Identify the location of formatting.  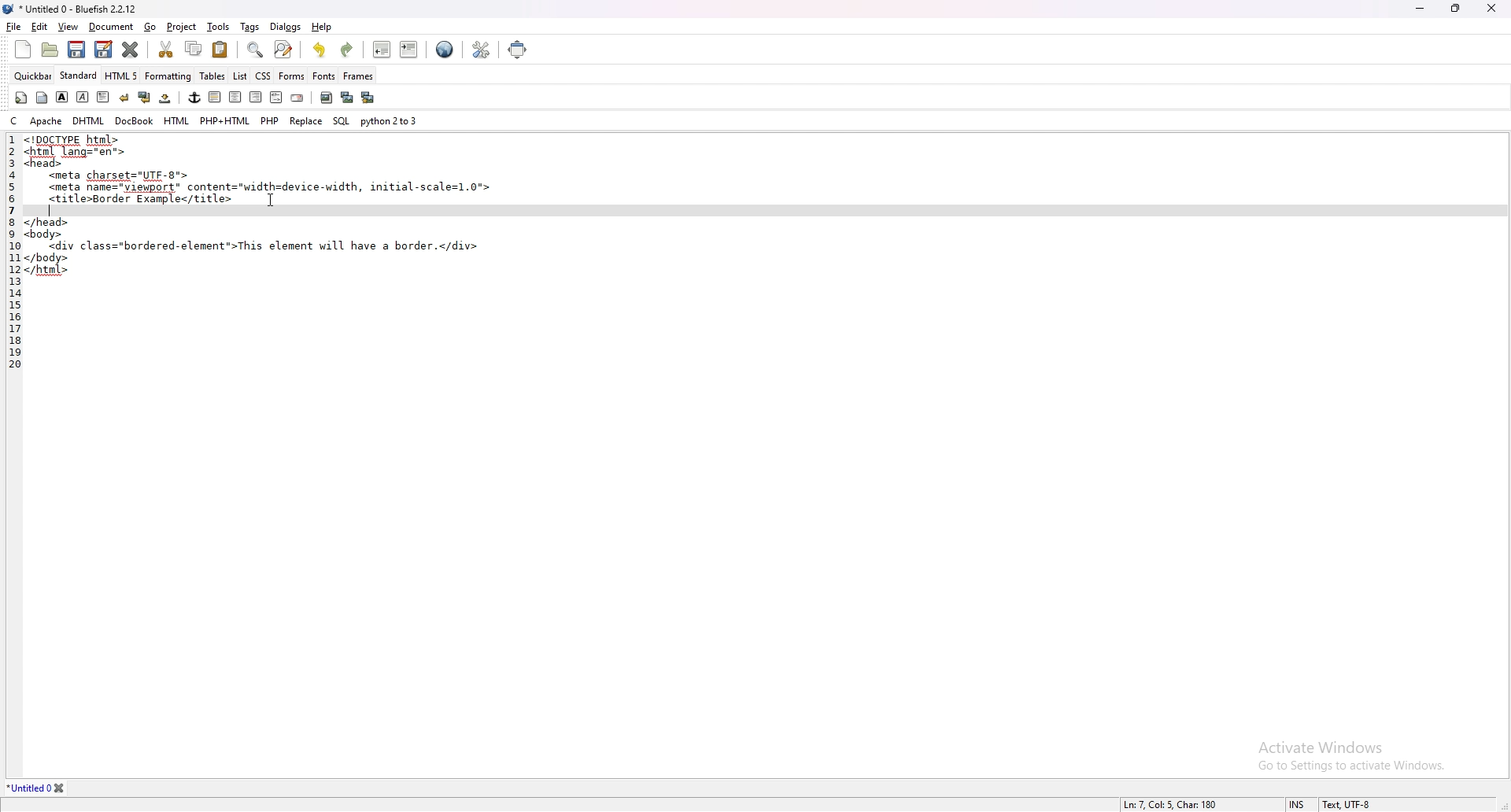
(168, 76).